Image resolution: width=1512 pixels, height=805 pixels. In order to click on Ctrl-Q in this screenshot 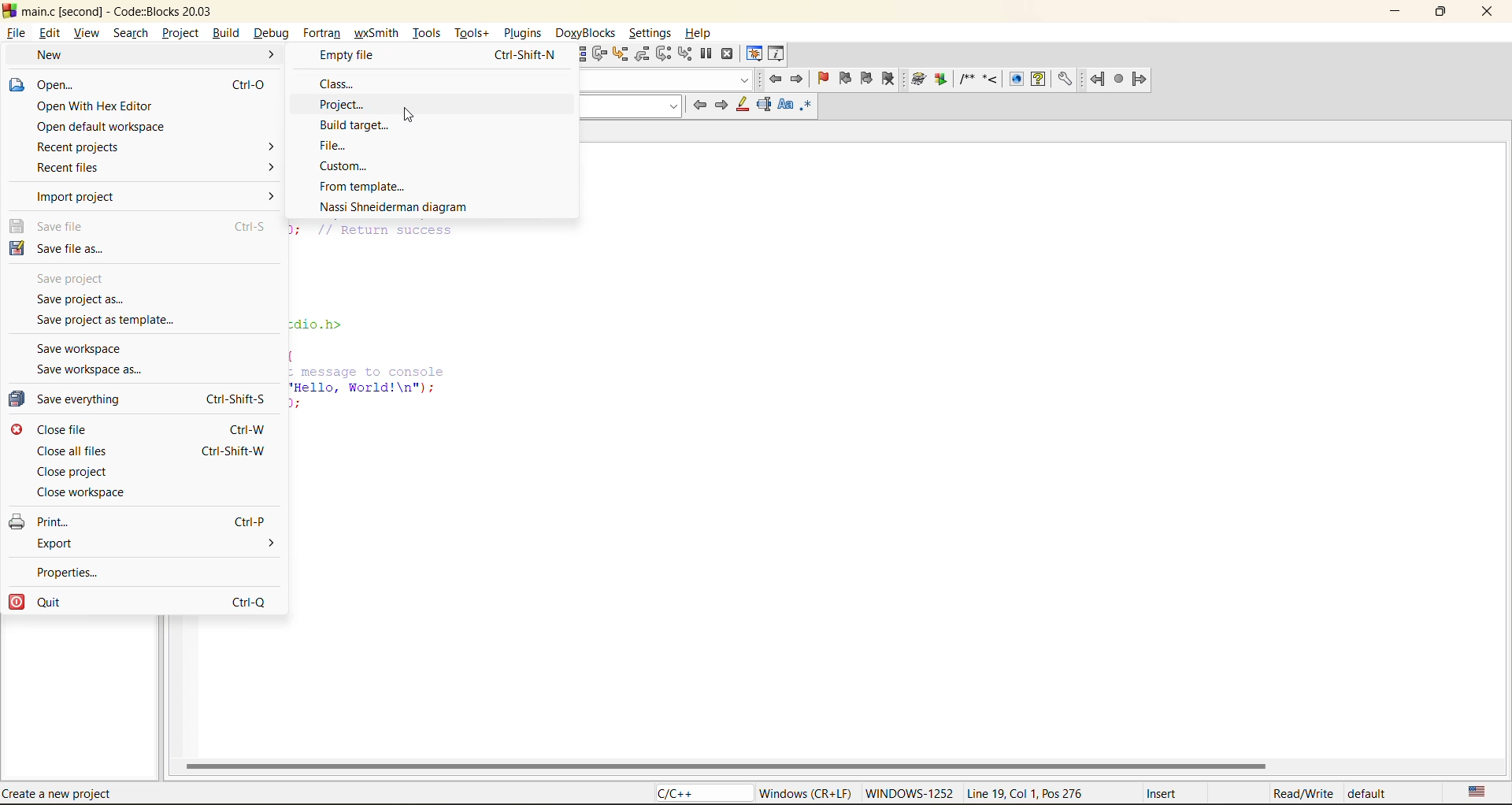, I will do `click(244, 599)`.